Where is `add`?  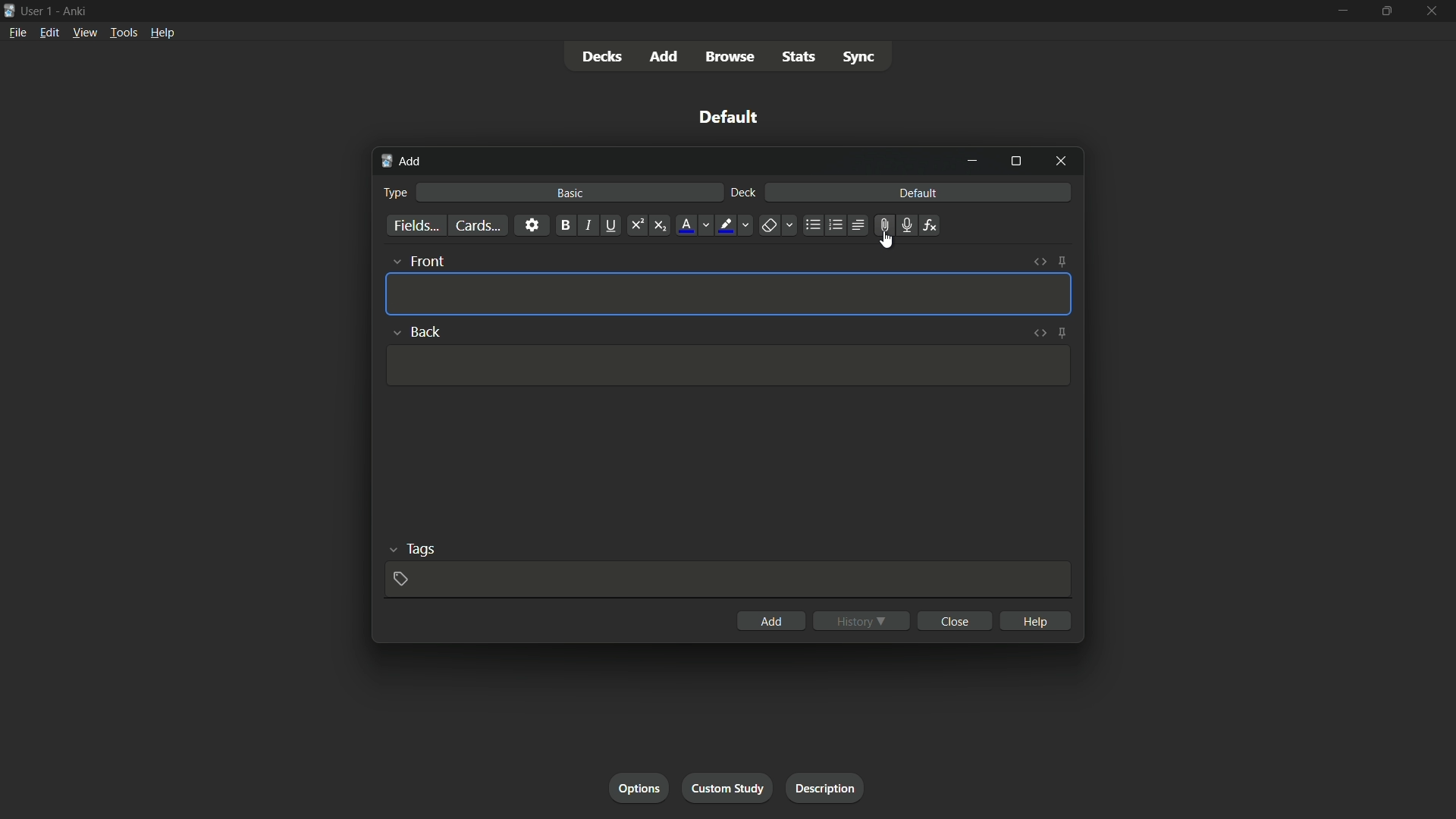 add is located at coordinates (772, 620).